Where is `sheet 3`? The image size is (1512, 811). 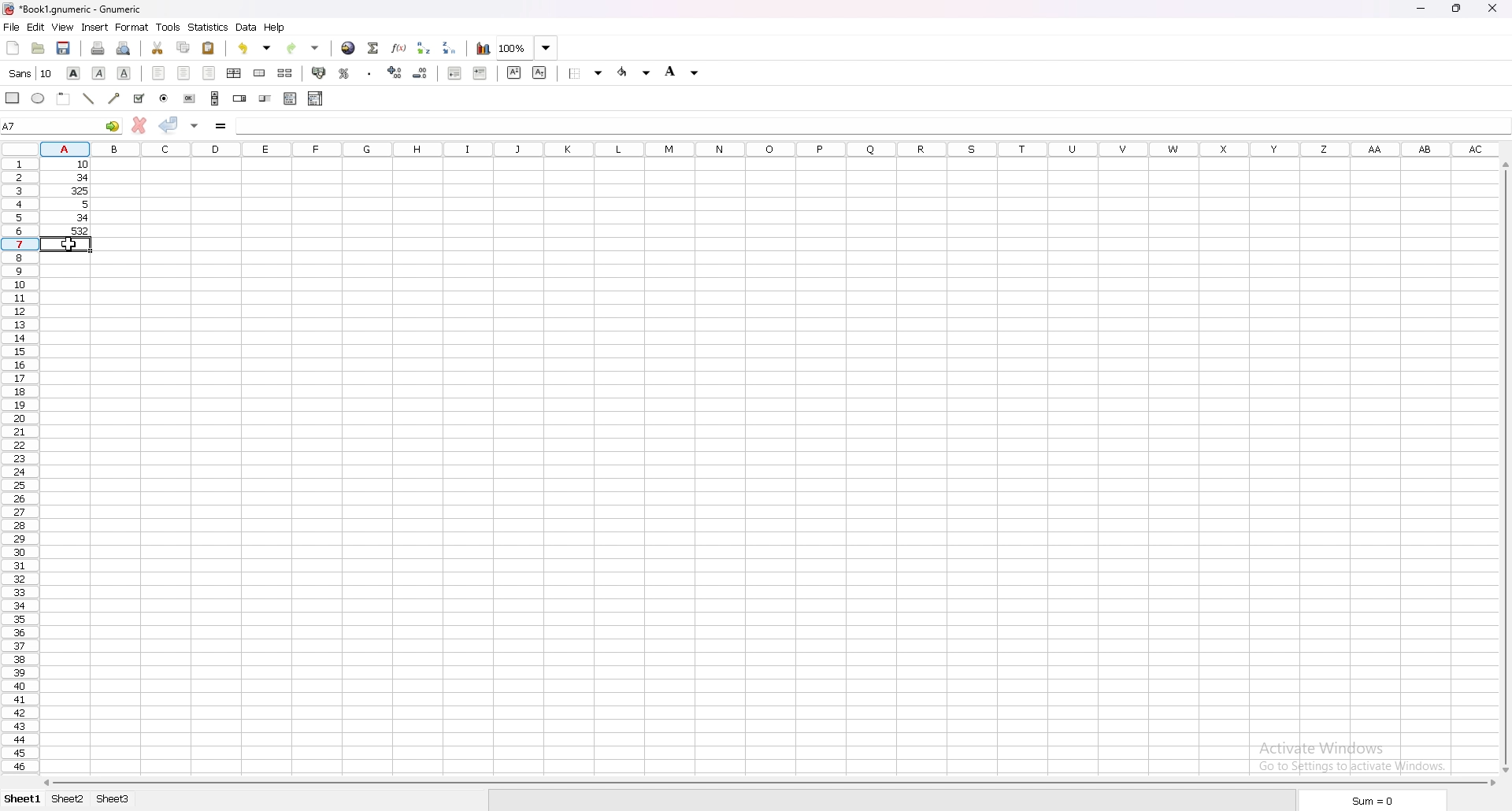 sheet 3 is located at coordinates (115, 798).